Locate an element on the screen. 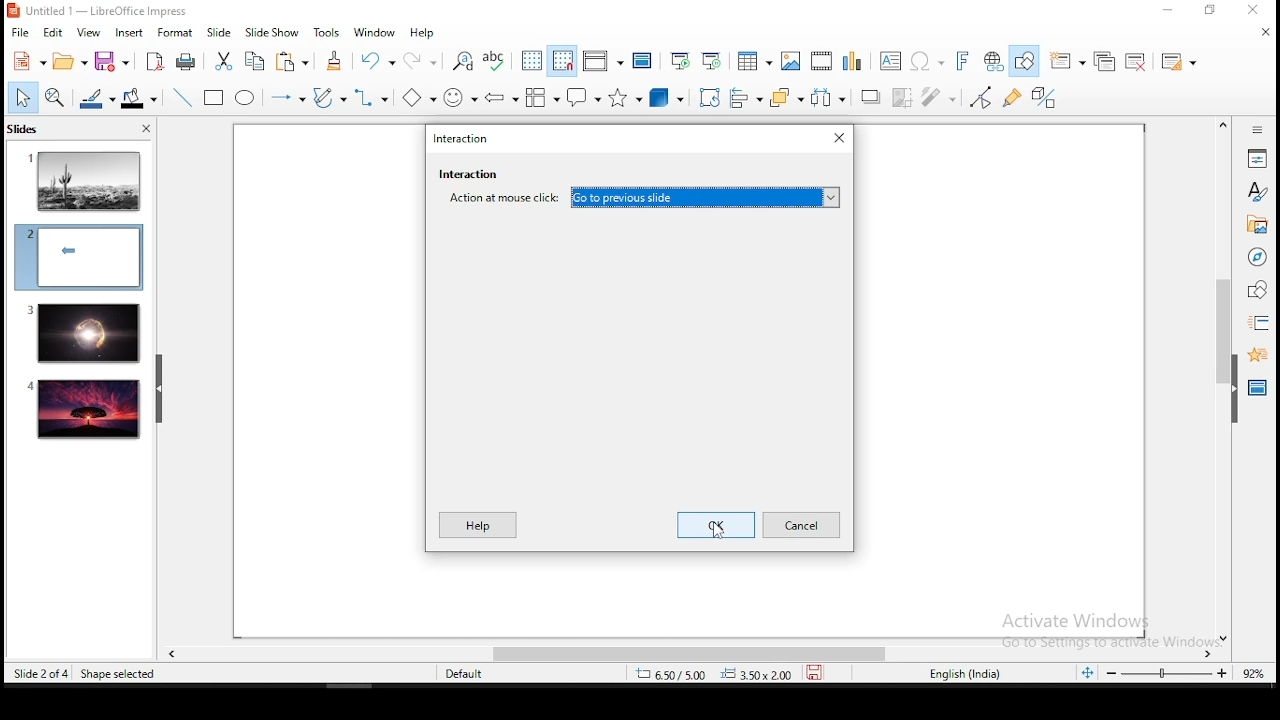  slide 2 of 4 is located at coordinates (41, 674).